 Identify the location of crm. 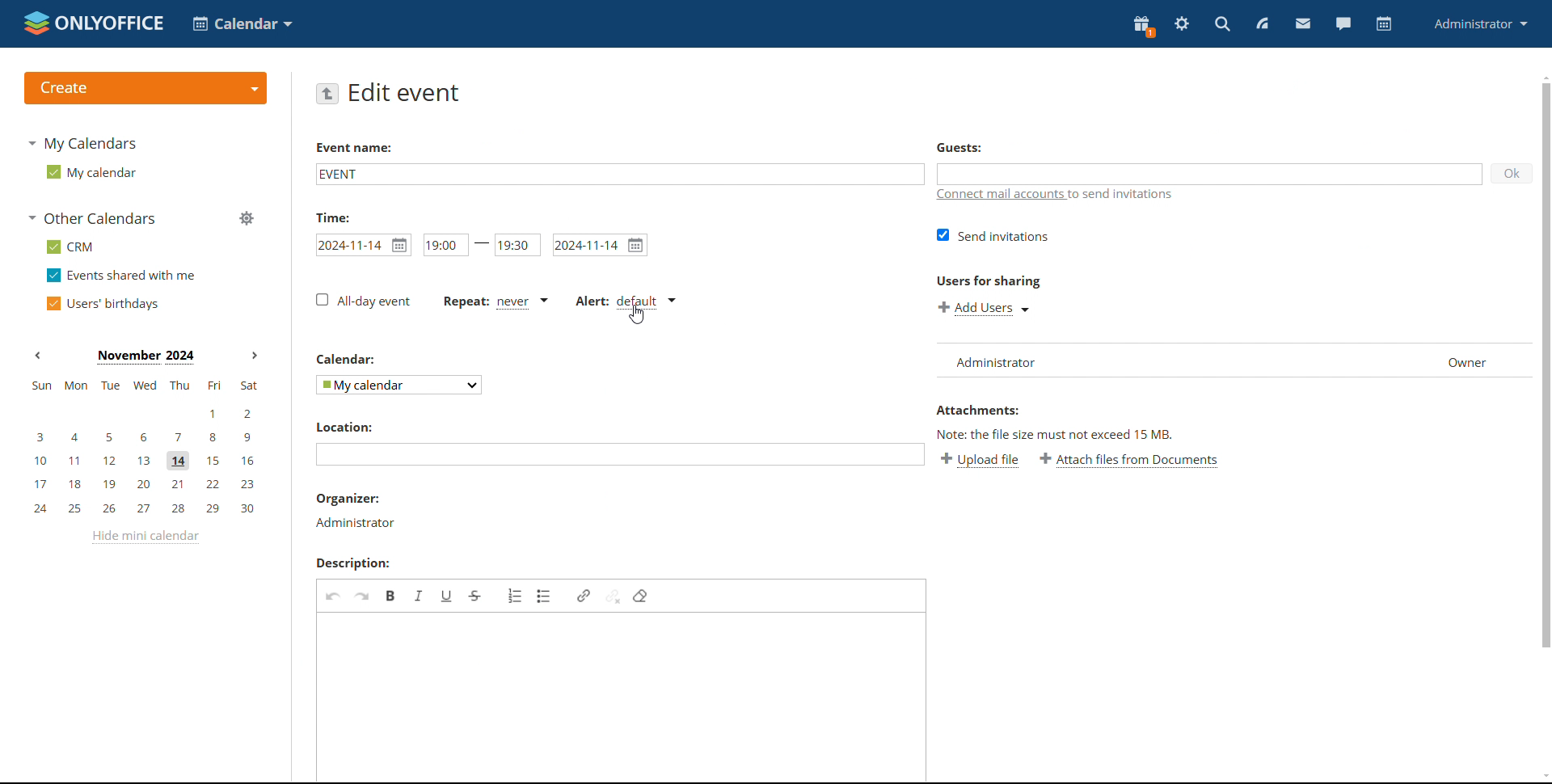
(70, 247).